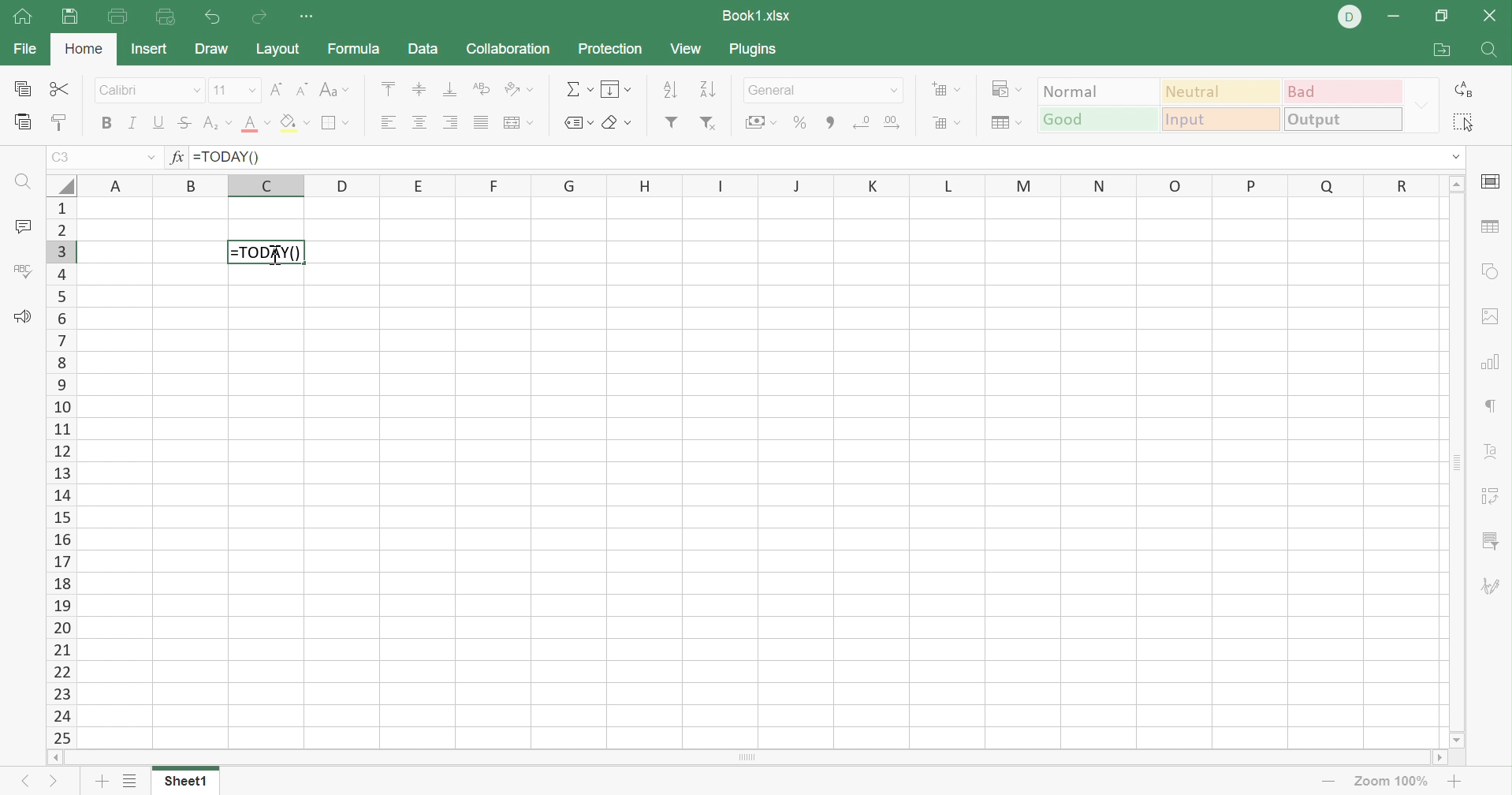 Image resolution: width=1512 pixels, height=795 pixels. Describe the element at coordinates (1344, 93) in the screenshot. I see `Bad` at that location.